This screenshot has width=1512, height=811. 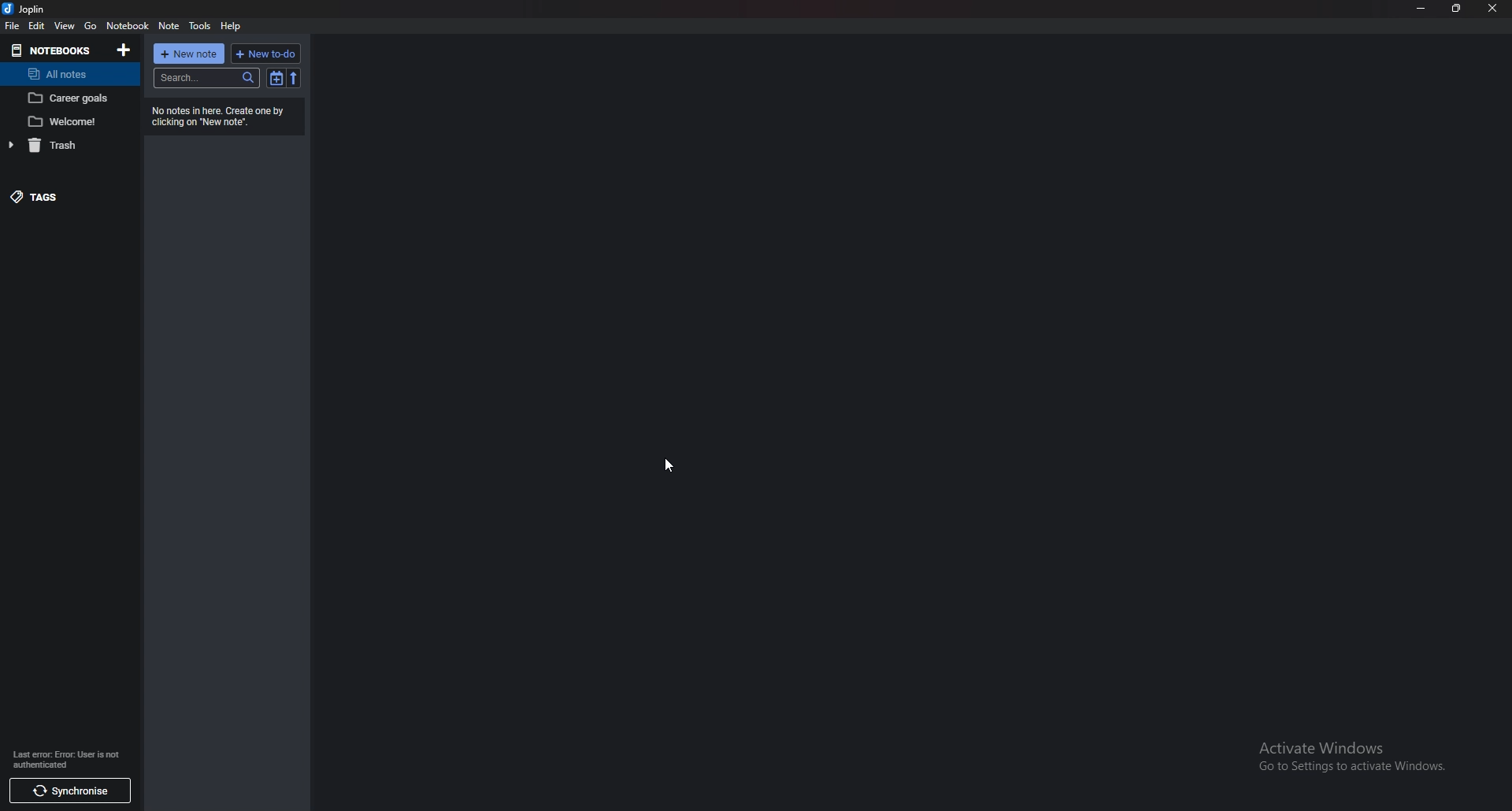 What do you see at coordinates (65, 25) in the screenshot?
I see `view` at bounding box center [65, 25].